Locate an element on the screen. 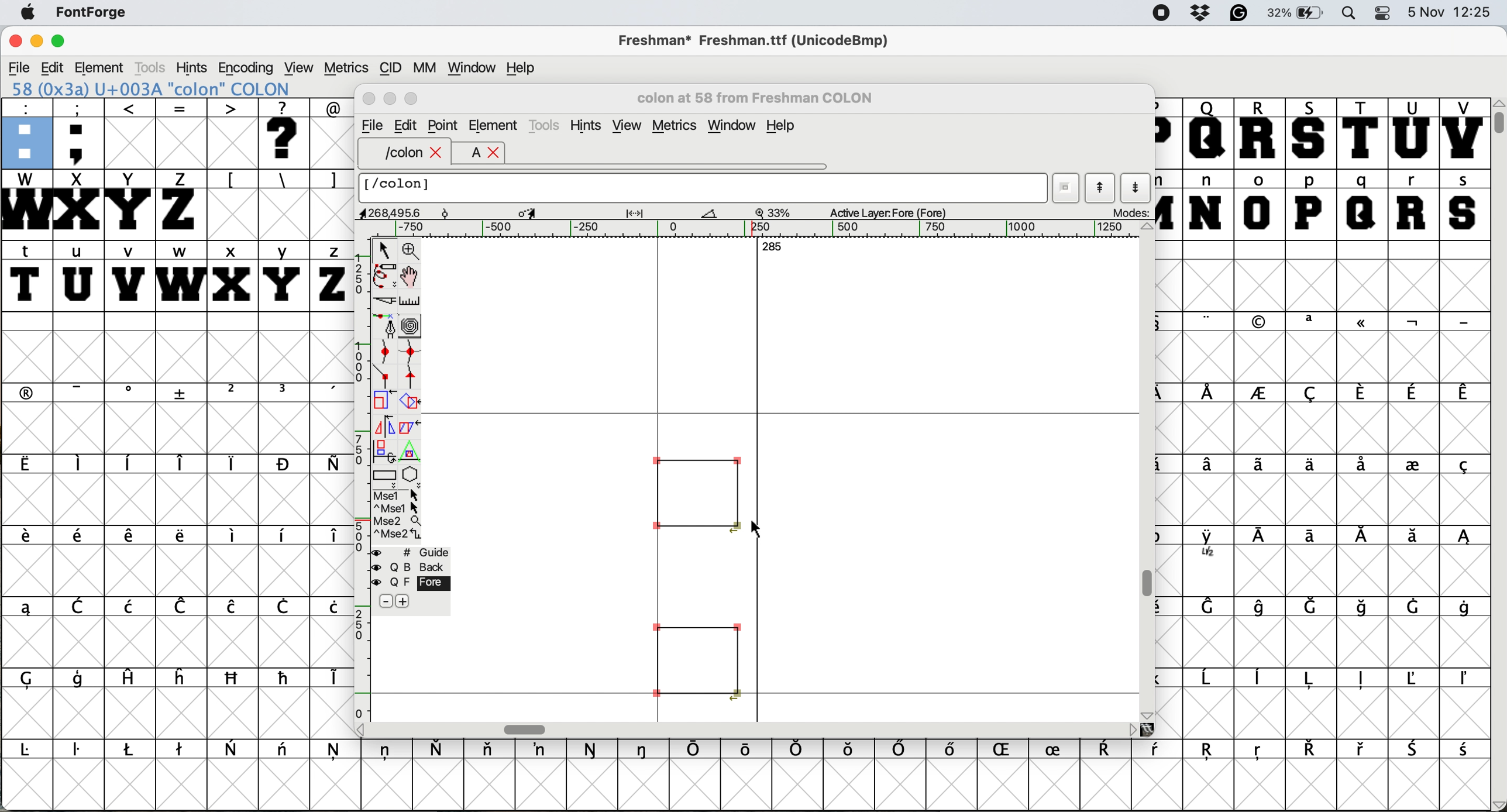  symbol is located at coordinates (1110, 750).